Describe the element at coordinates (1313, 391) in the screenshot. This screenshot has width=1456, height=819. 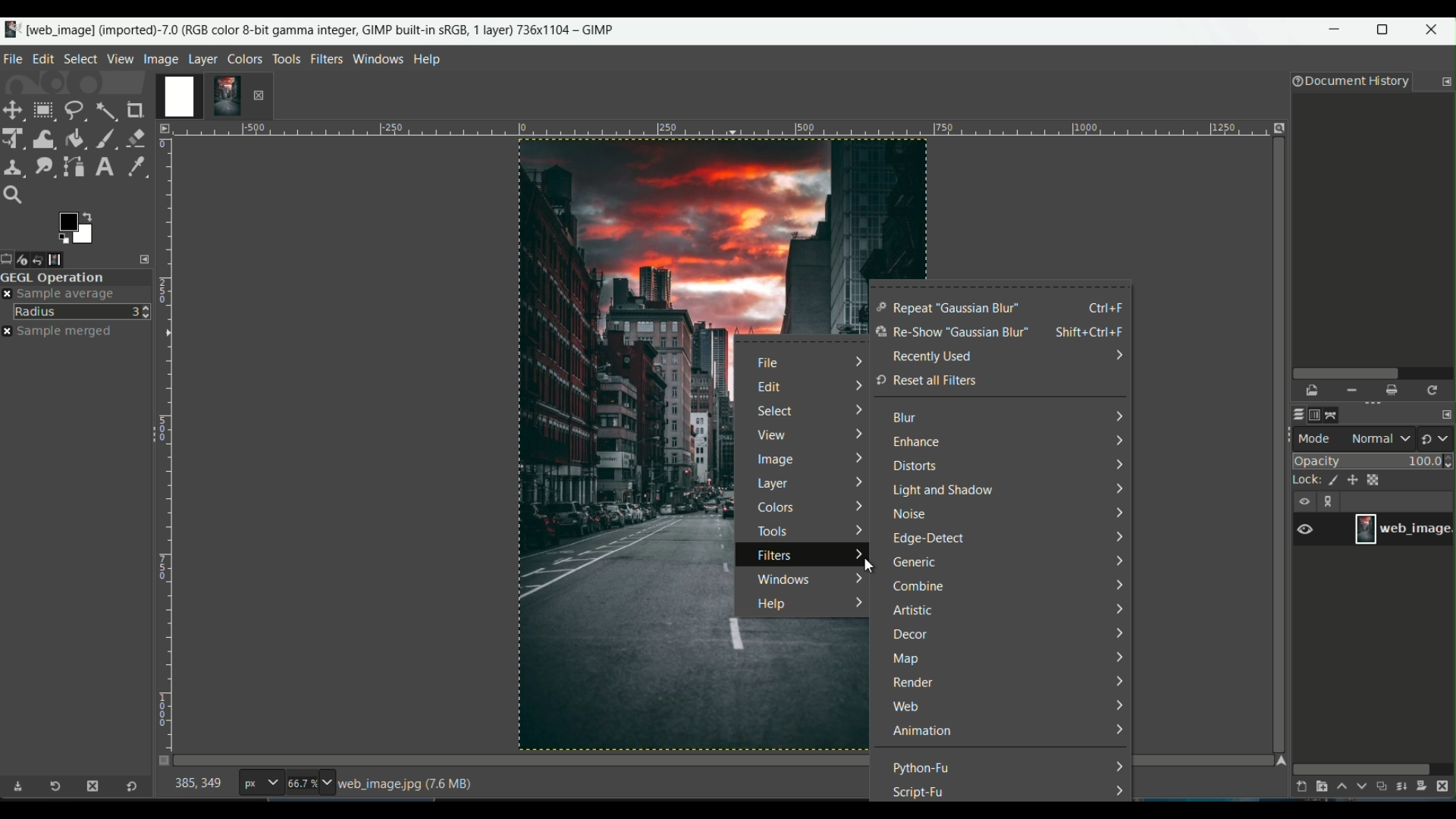
I see `open the selected entry` at that location.